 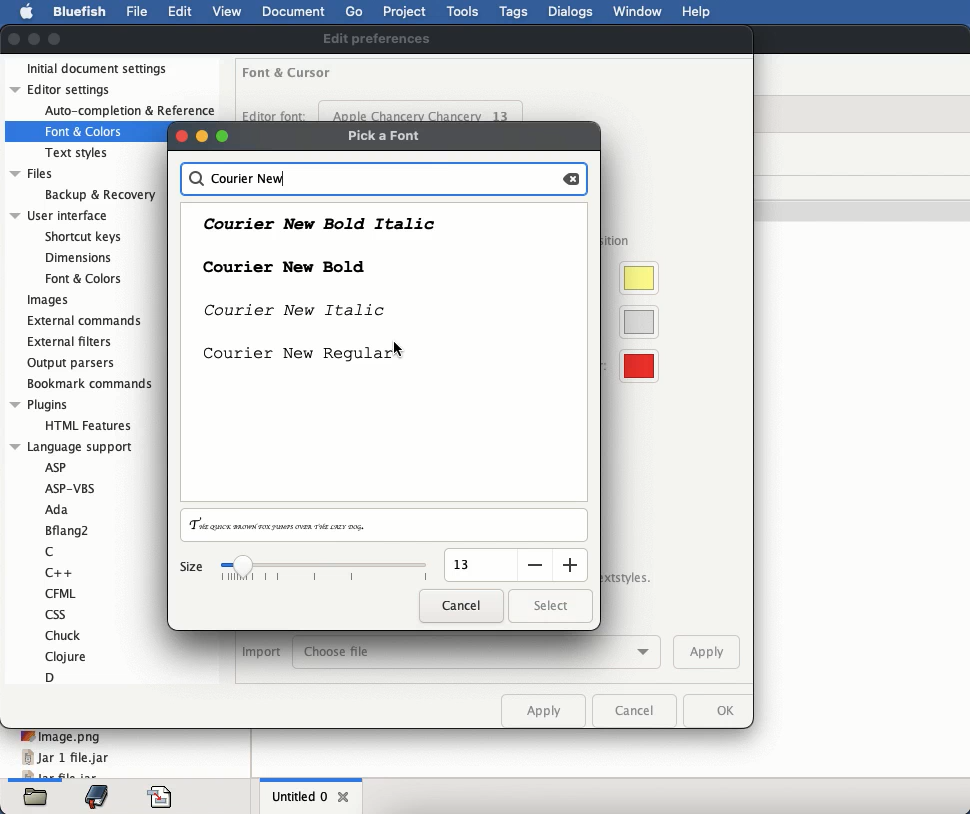 What do you see at coordinates (36, 797) in the screenshot?
I see `files` at bounding box center [36, 797].